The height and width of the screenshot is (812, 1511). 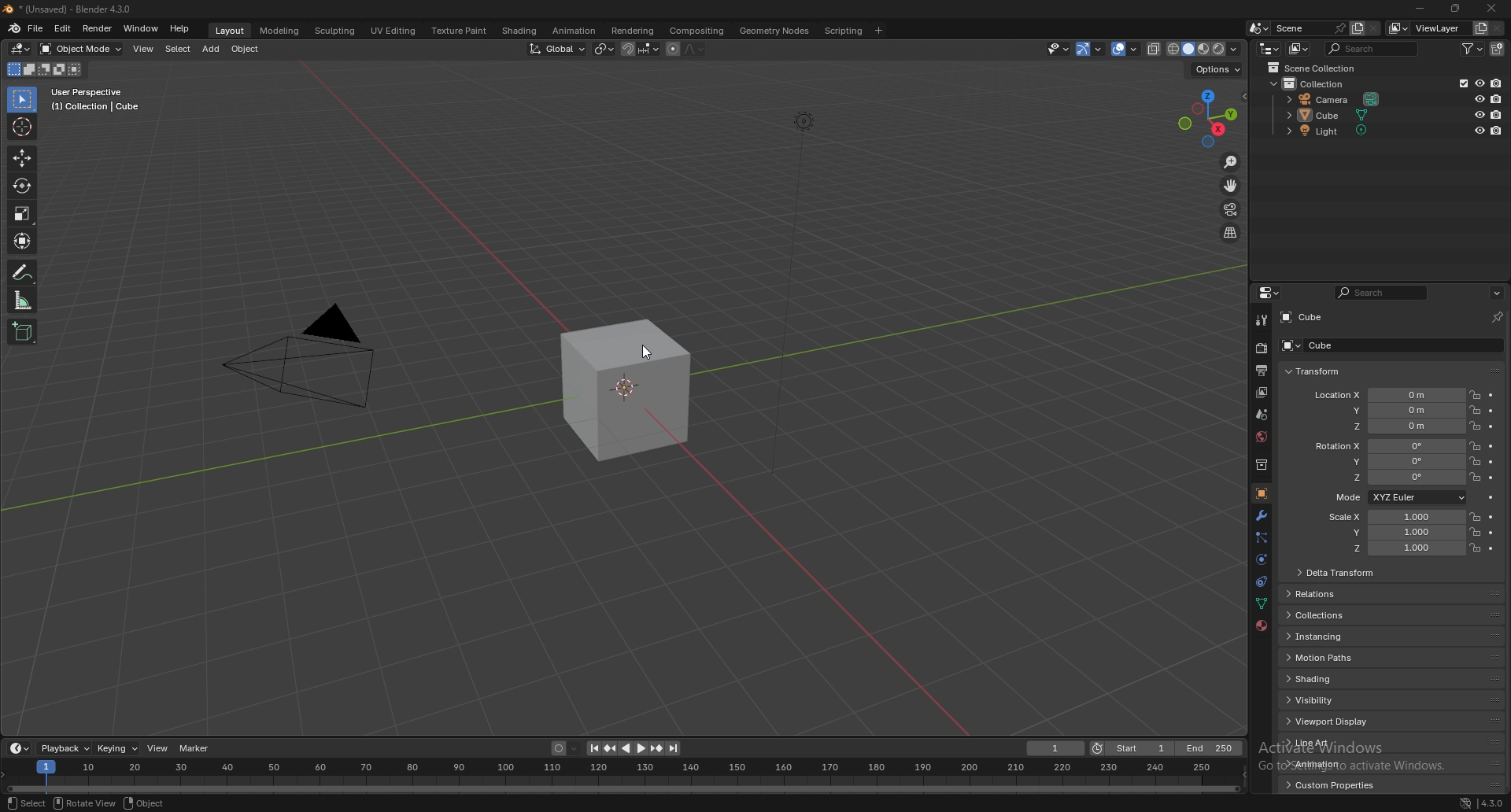 What do you see at coordinates (1260, 605) in the screenshot?
I see `data` at bounding box center [1260, 605].